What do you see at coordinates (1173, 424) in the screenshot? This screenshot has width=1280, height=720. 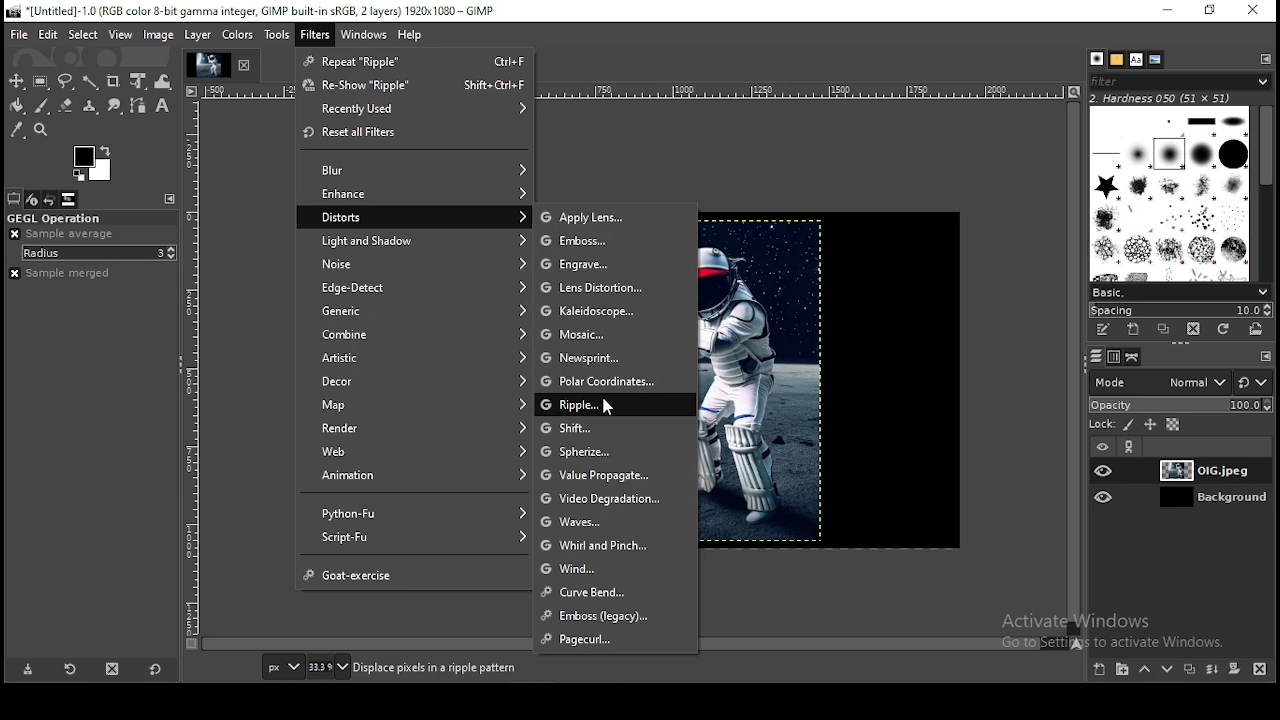 I see `lock alpha channel` at bounding box center [1173, 424].